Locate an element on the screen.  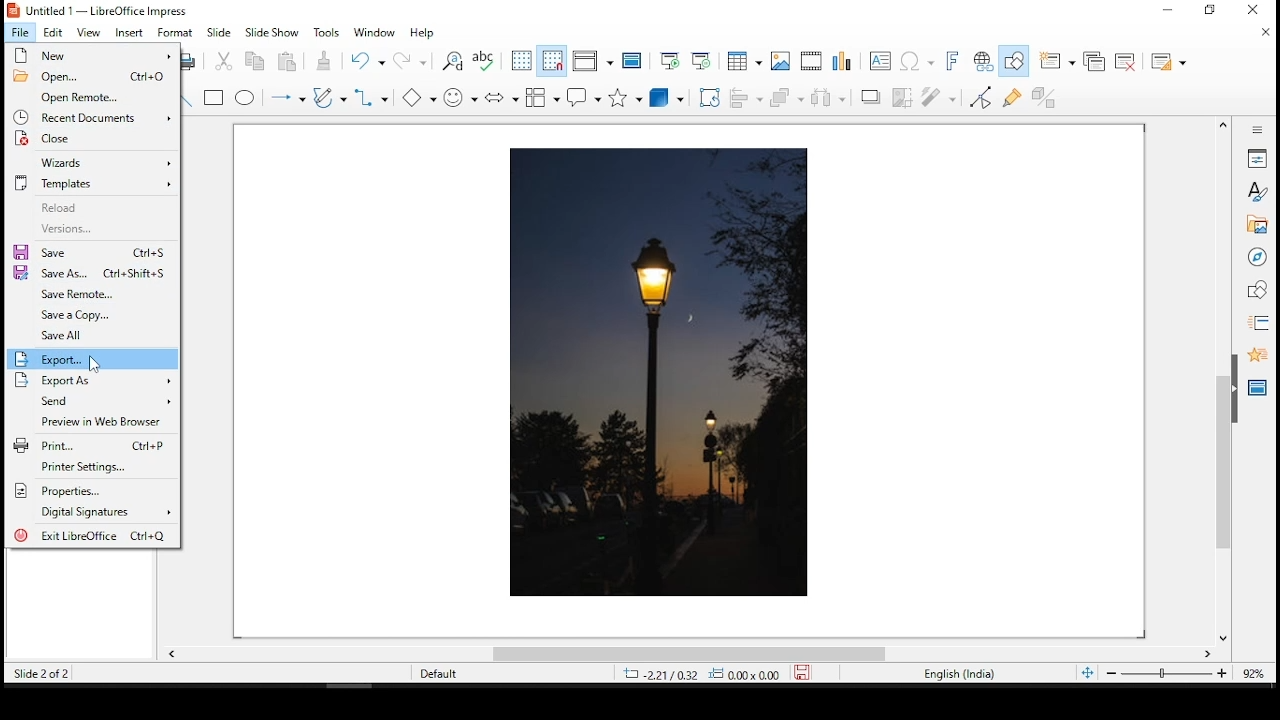
window is located at coordinates (376, 34).